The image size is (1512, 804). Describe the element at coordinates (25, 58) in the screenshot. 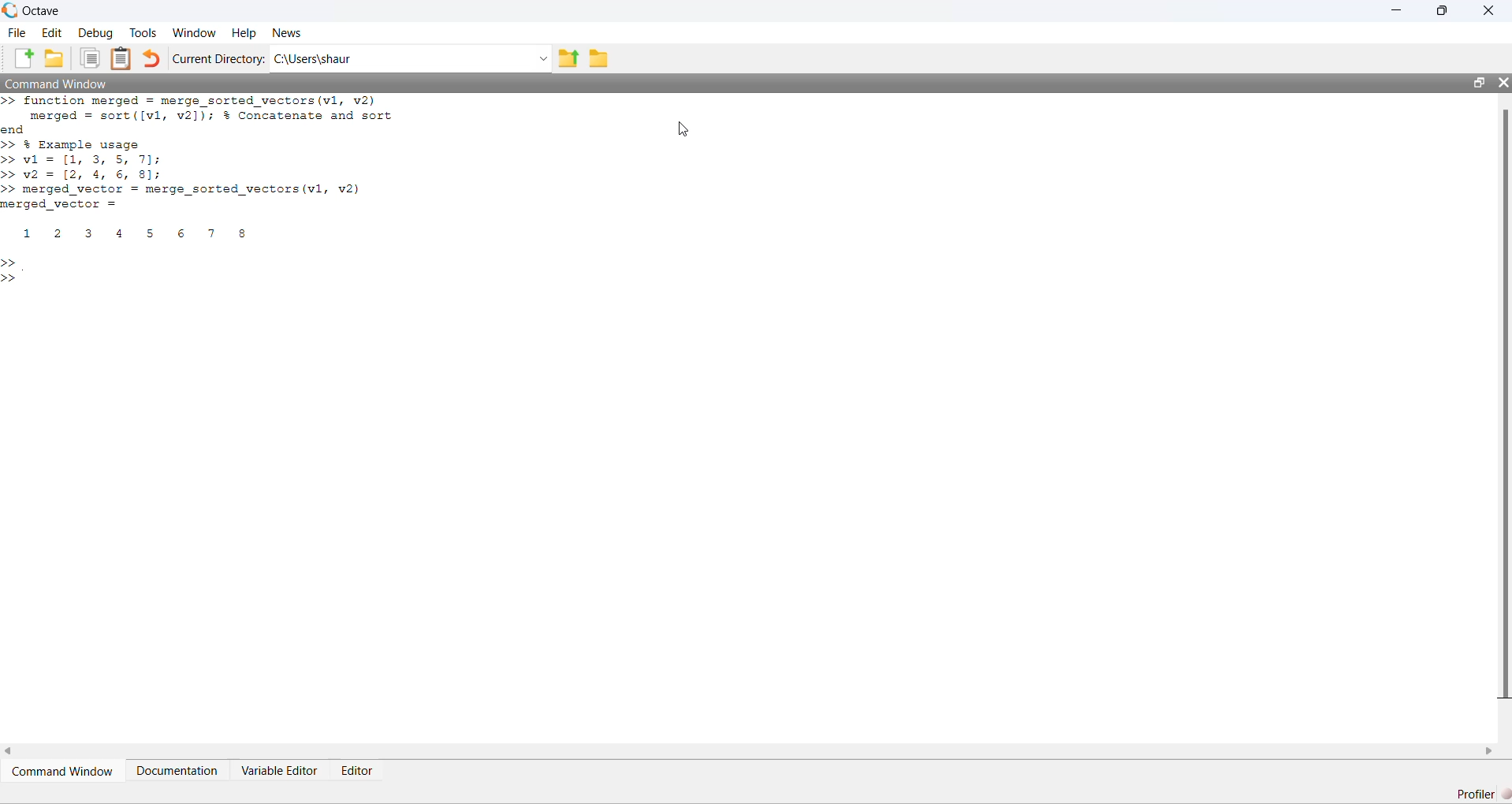

I see `add file` at that location.